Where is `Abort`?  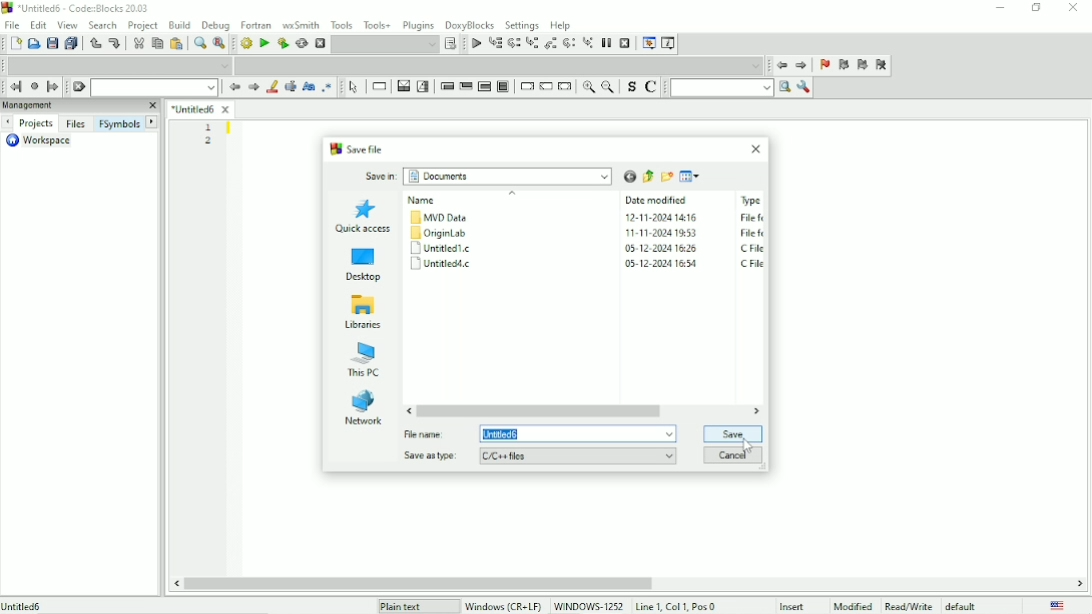
Abort is located at coordinates (319, 44).